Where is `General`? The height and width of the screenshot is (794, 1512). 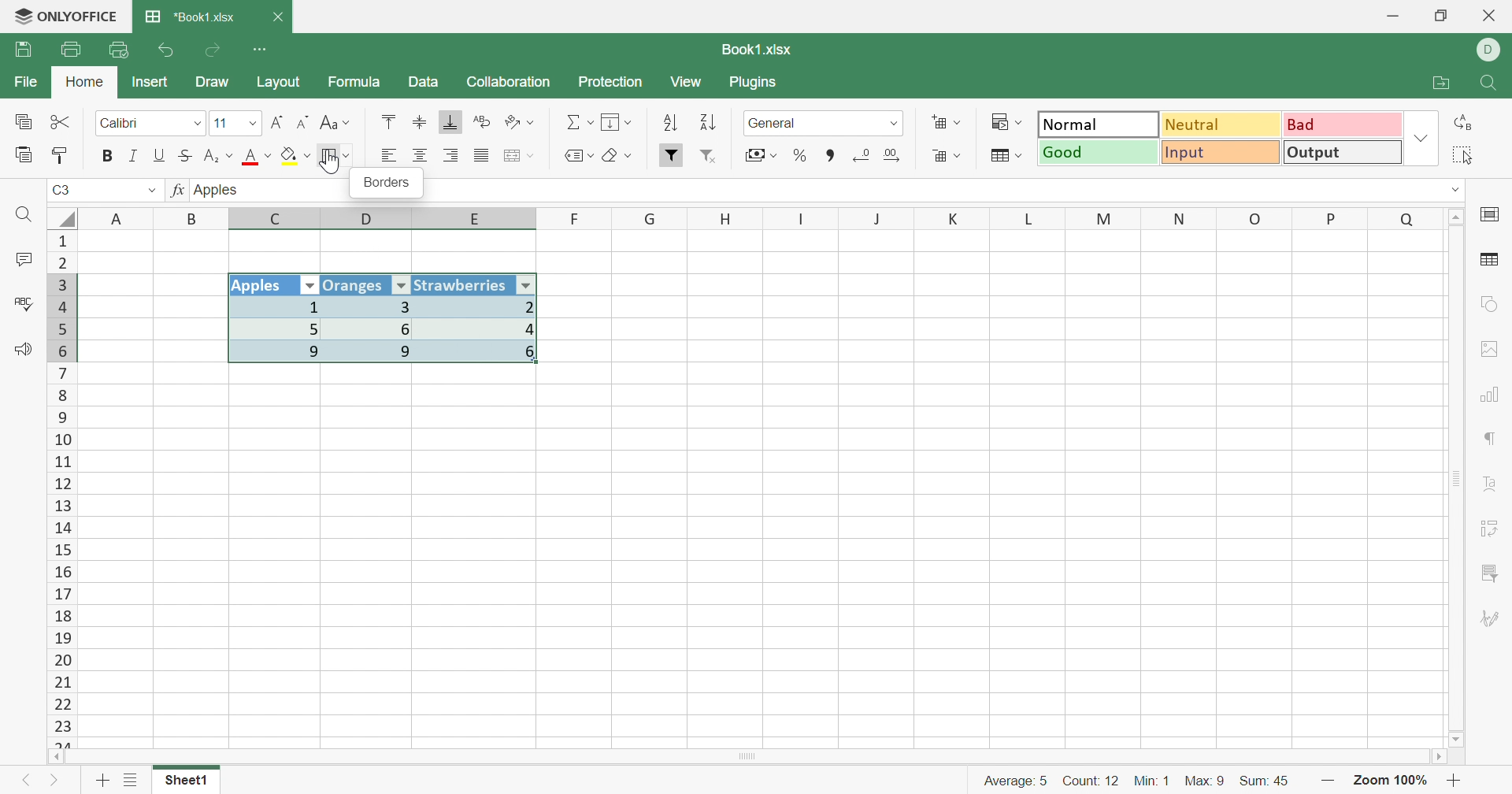 General is located at coordinates (777, 123).